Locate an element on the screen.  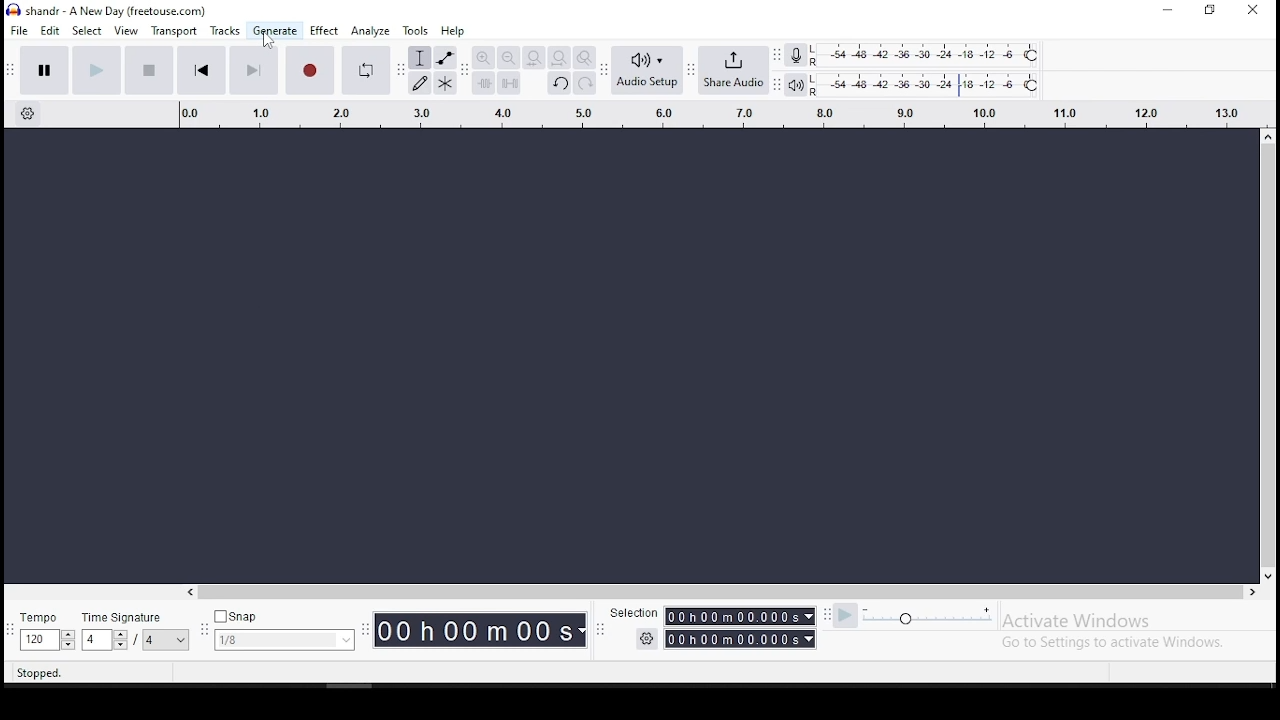
playback level is located at coordinates (928, 83).